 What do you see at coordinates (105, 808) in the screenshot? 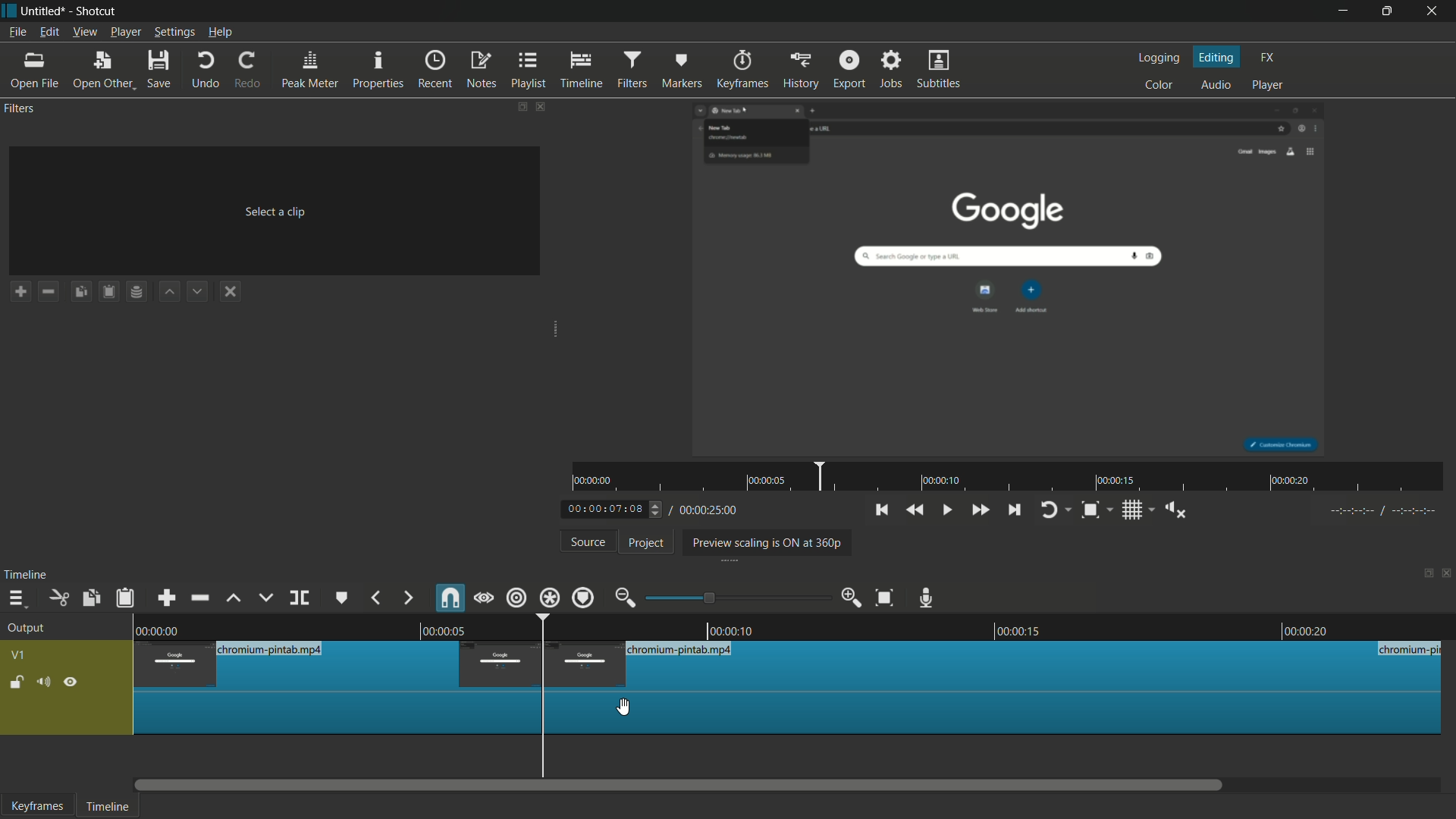
I see `timeline` at bounding box center [105, 808].